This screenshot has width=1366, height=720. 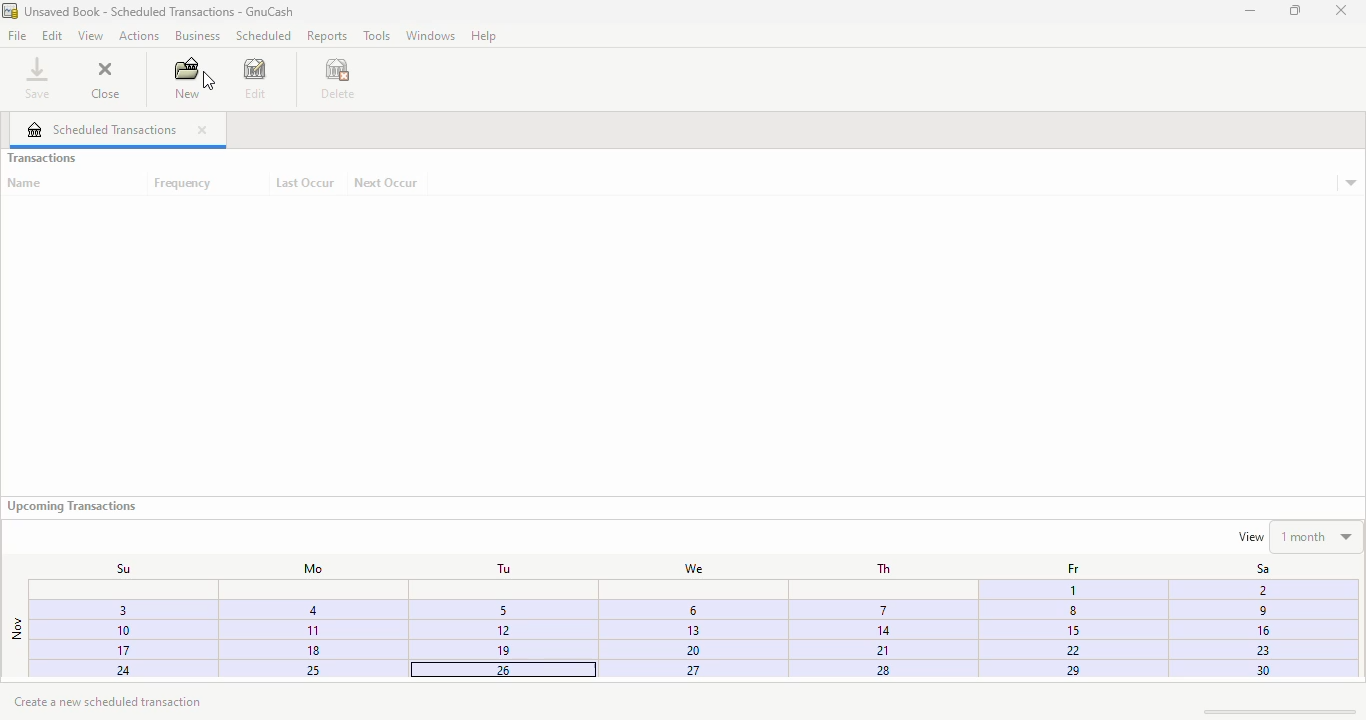 I want to click on minimize, so click(x=1250, y=11).